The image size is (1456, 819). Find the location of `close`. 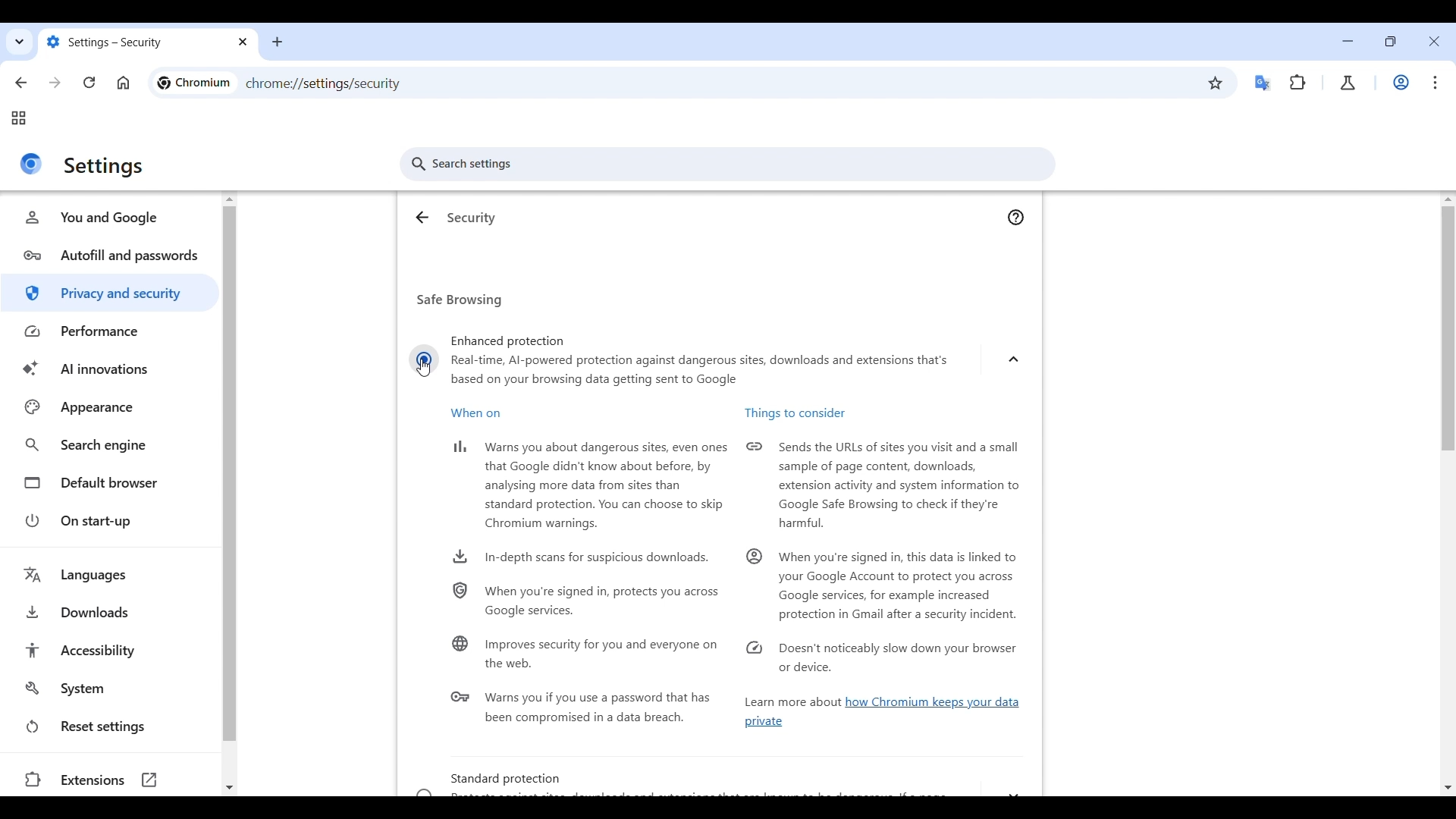

close is located at coordinates (241, 45).